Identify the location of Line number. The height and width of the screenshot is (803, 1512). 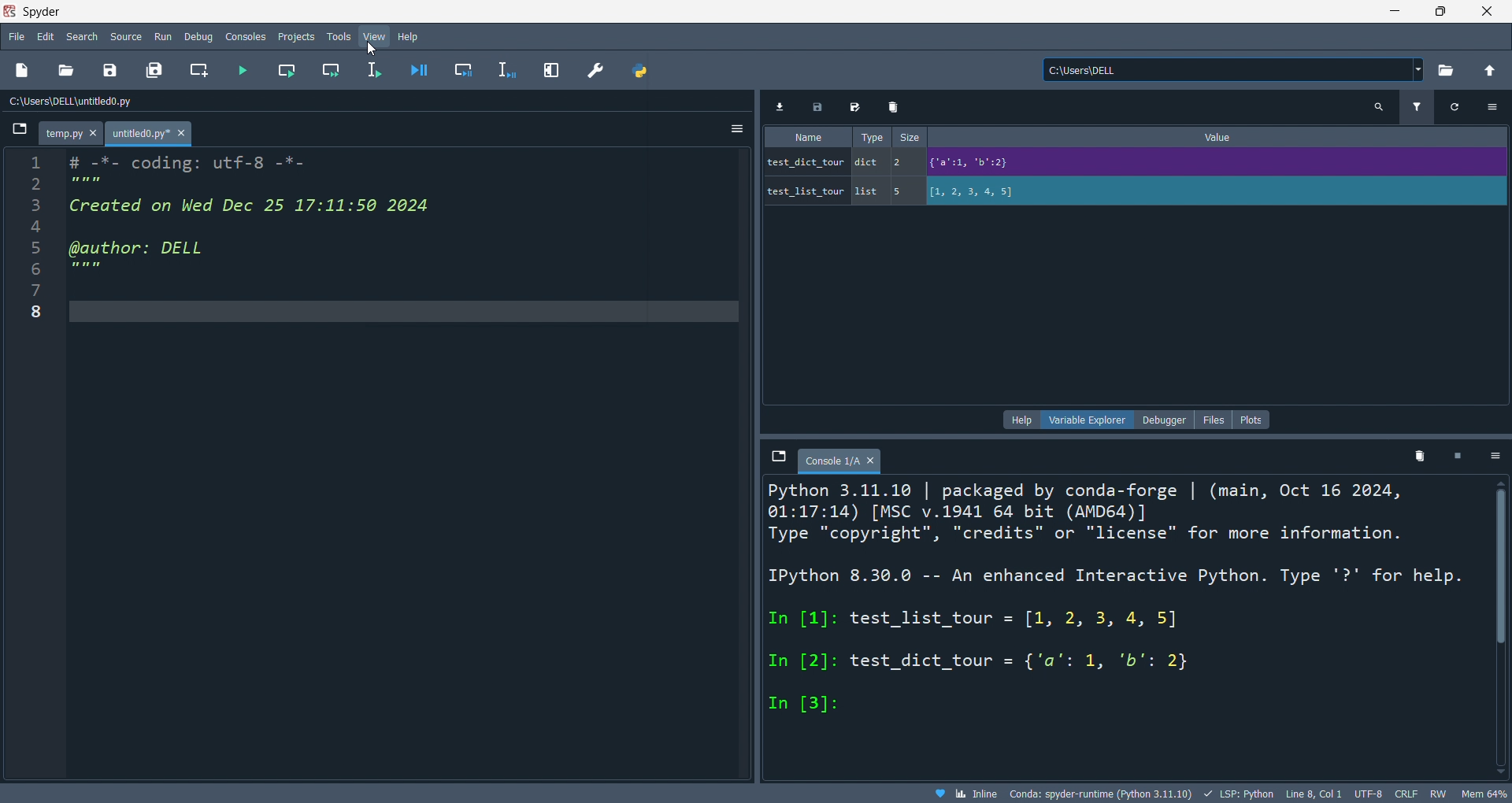
(35, 242).